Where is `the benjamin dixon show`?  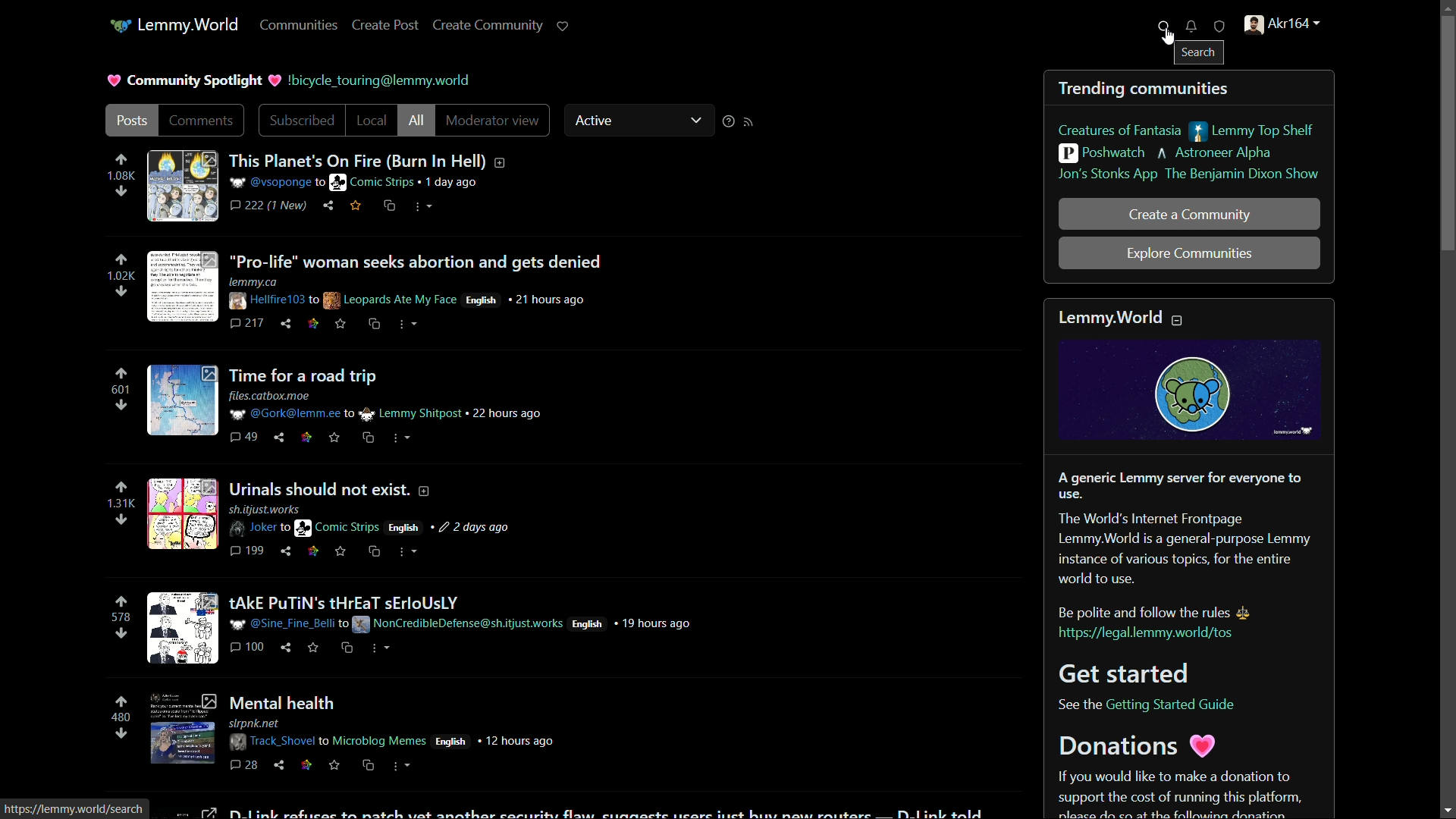 the benjamin dixon show is located at coordinates (1243, 175).